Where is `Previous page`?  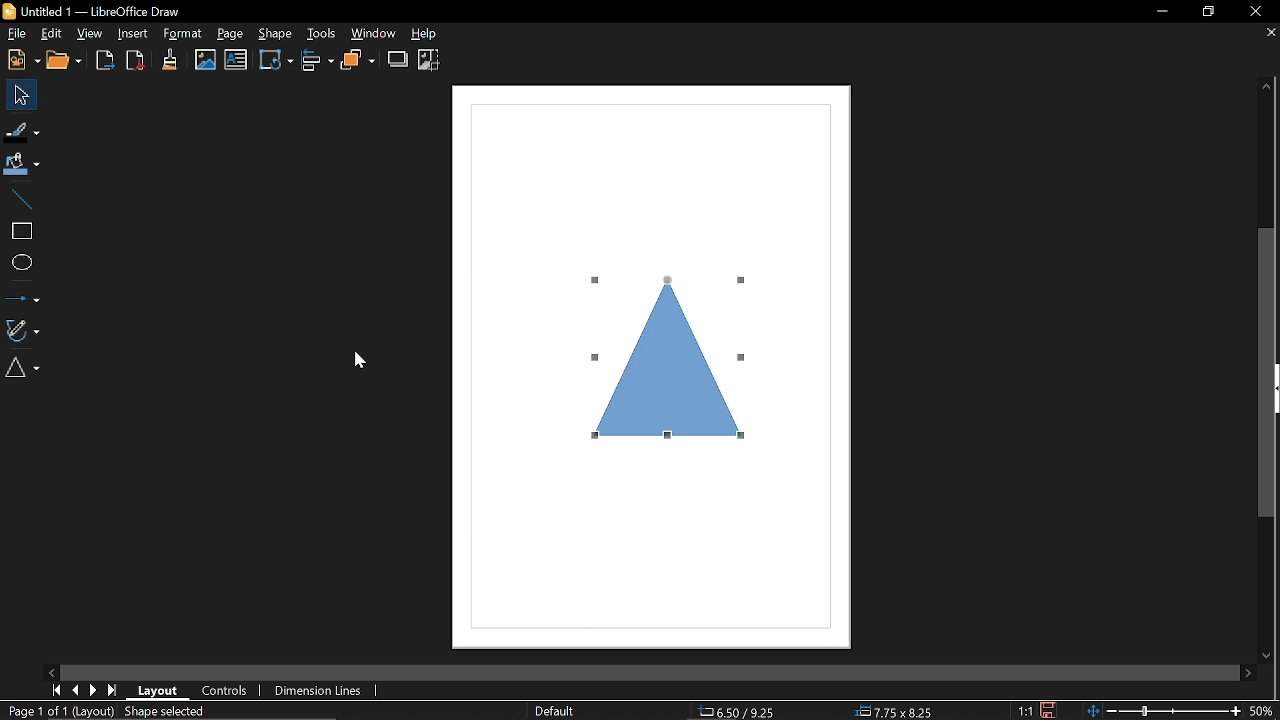 Previous page is located at coordinates (75, 691).